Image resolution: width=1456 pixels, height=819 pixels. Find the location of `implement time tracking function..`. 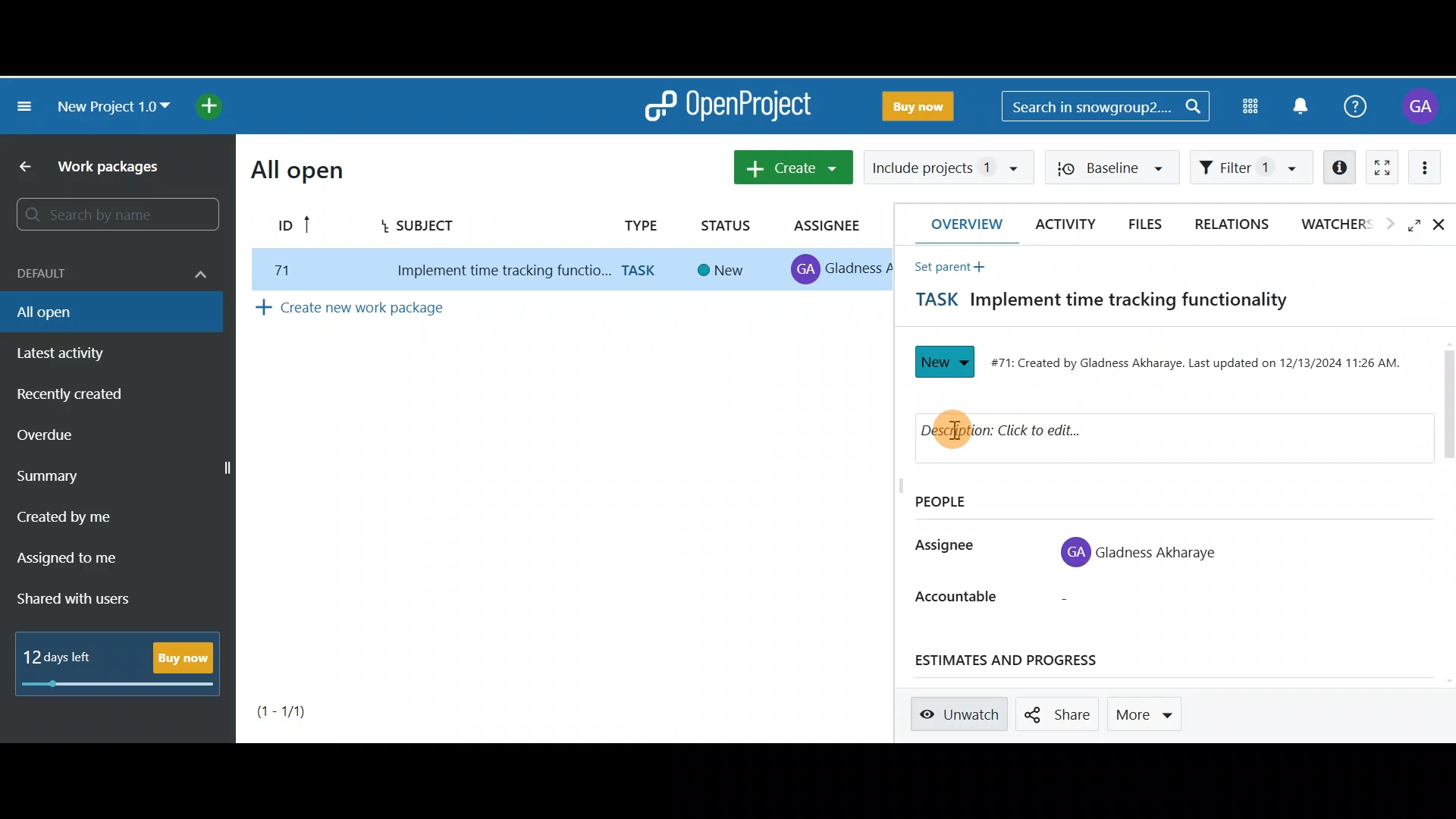

implement time tracking function.. is located at coordinates (494, 271).